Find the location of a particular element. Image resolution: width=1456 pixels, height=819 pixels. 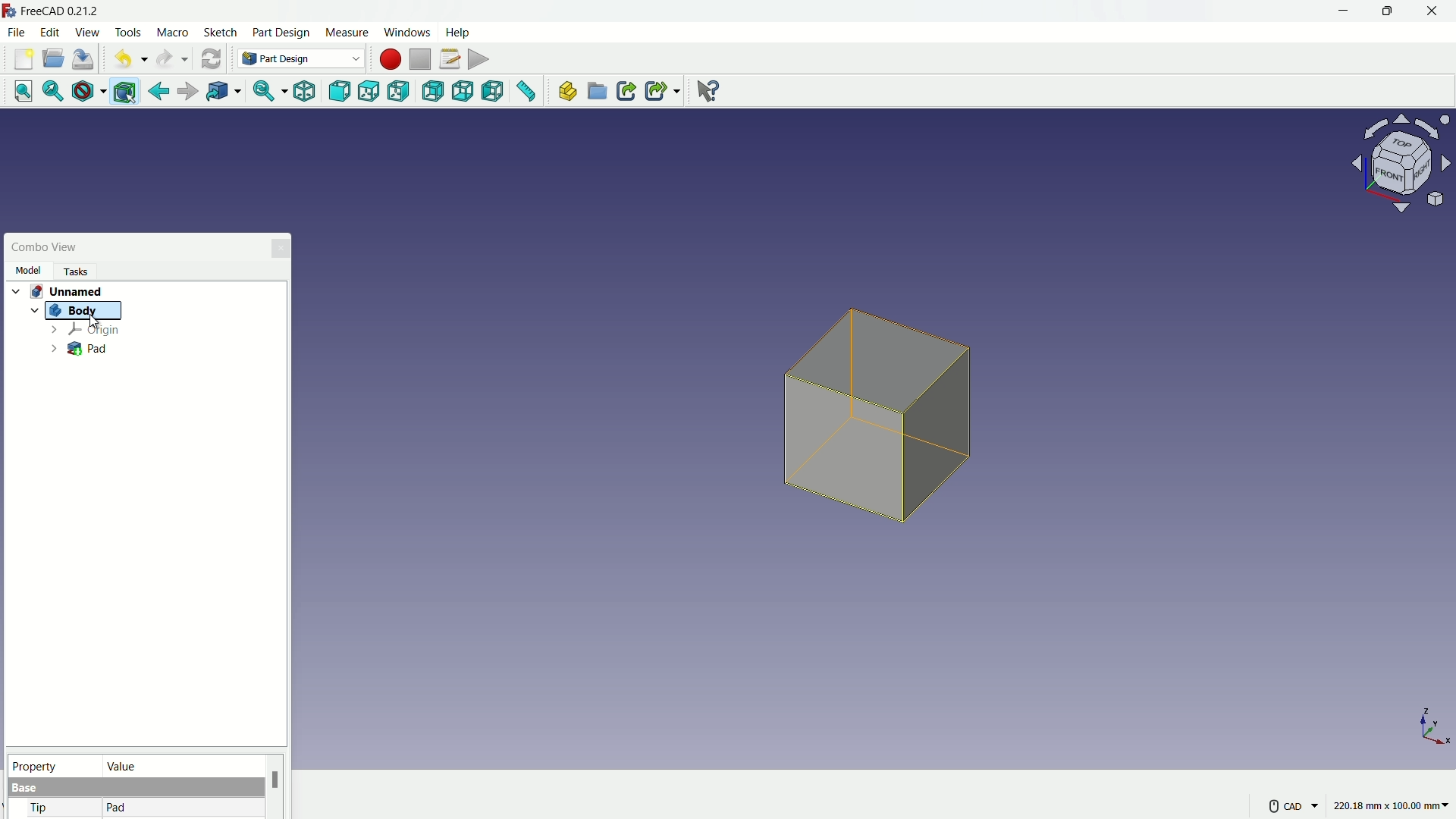

new file is located at coordinates (24, 59).